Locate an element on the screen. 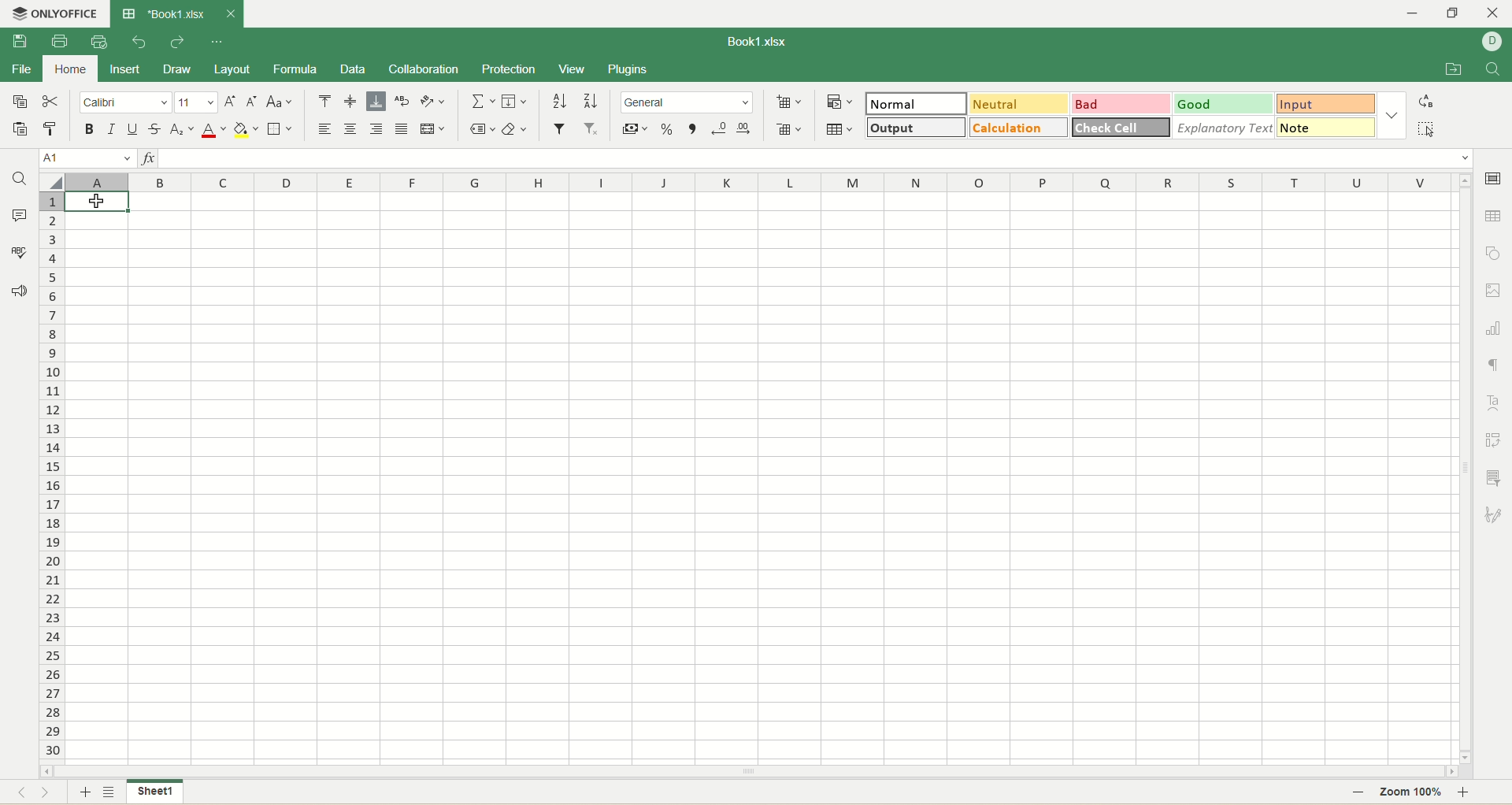 Image resolution: width=1512 pixels, height=805 pixels. print is located at coordinates (58, 41).